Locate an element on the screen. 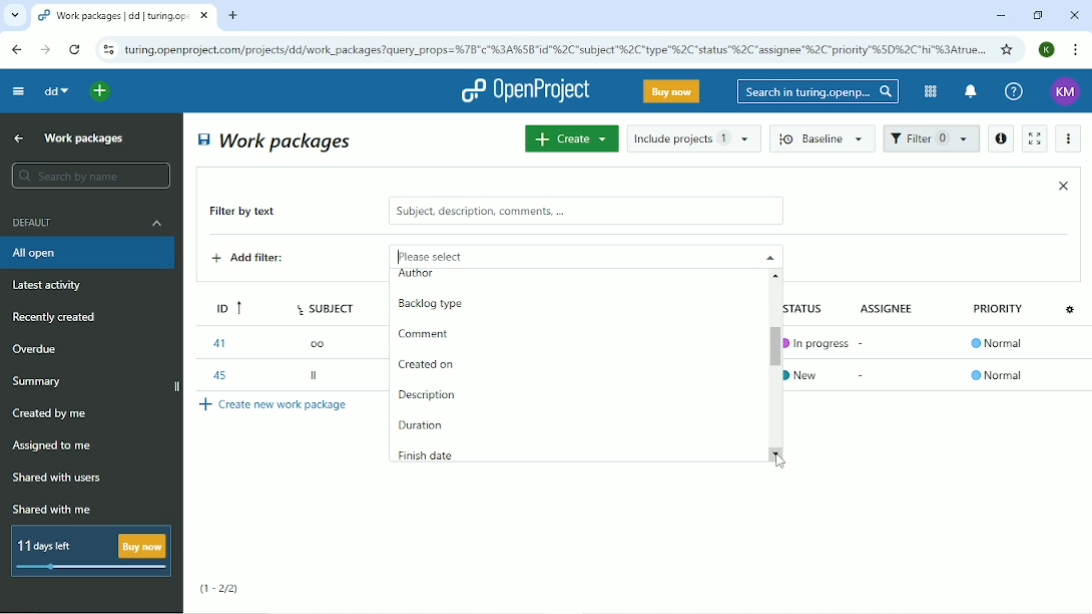 This screenshot has width=1092, height=614. Open quick add menu is located at coordinates (101, 91).